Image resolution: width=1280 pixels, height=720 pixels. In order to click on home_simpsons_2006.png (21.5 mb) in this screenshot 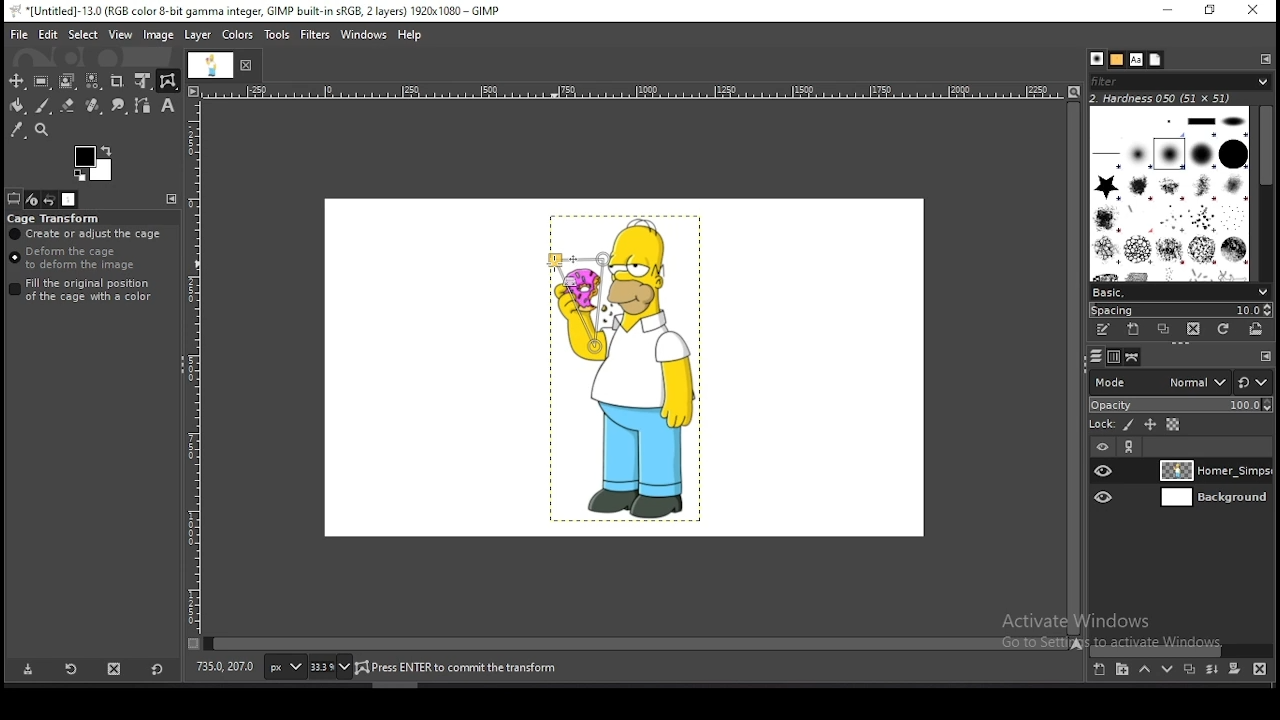, I will do `click(454, 668)`.